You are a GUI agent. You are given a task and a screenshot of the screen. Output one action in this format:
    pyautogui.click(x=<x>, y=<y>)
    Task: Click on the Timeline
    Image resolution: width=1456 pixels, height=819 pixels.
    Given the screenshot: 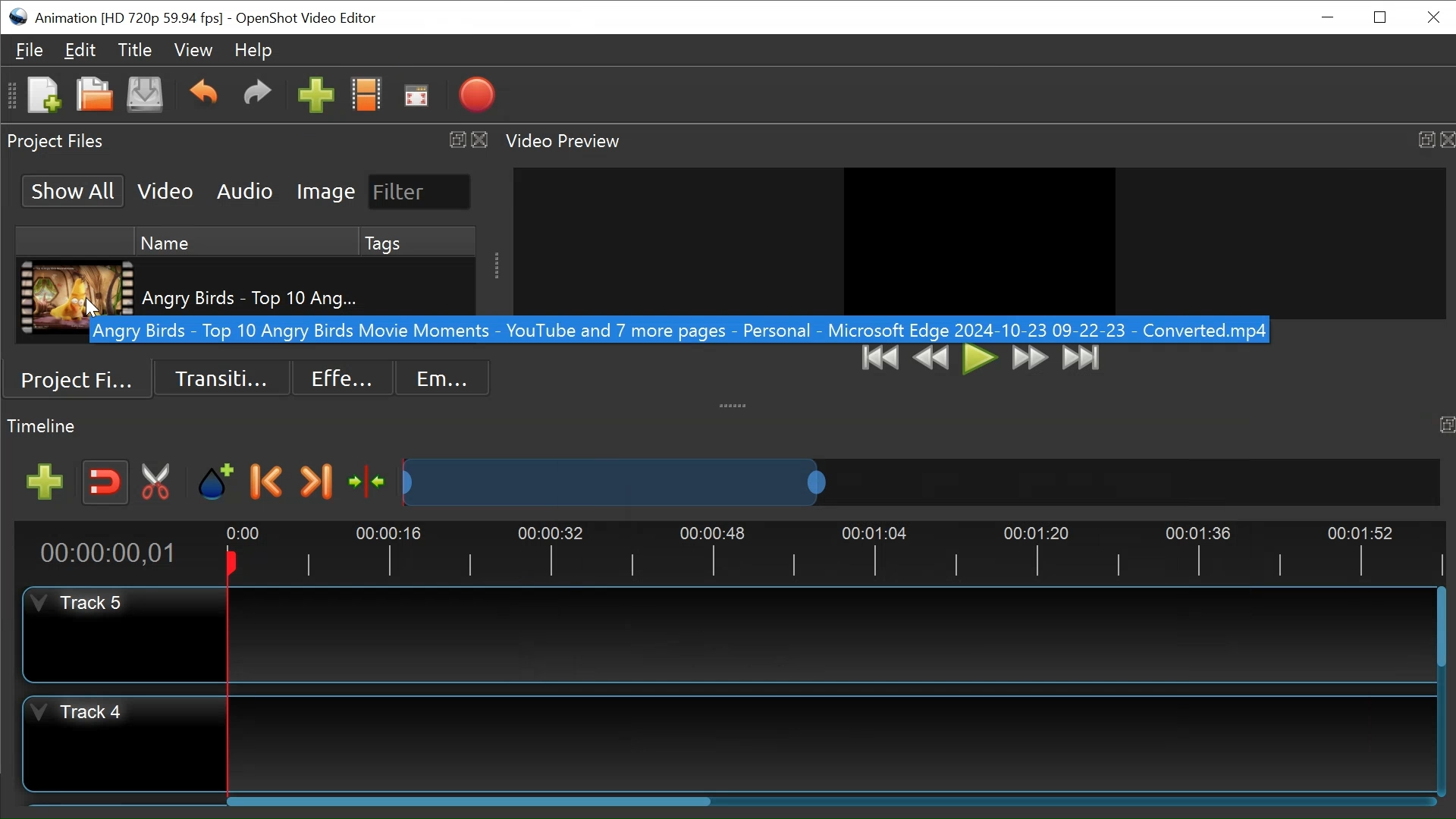 What is the action you would take?
    pyautogui.click(x=839, y=552)
    